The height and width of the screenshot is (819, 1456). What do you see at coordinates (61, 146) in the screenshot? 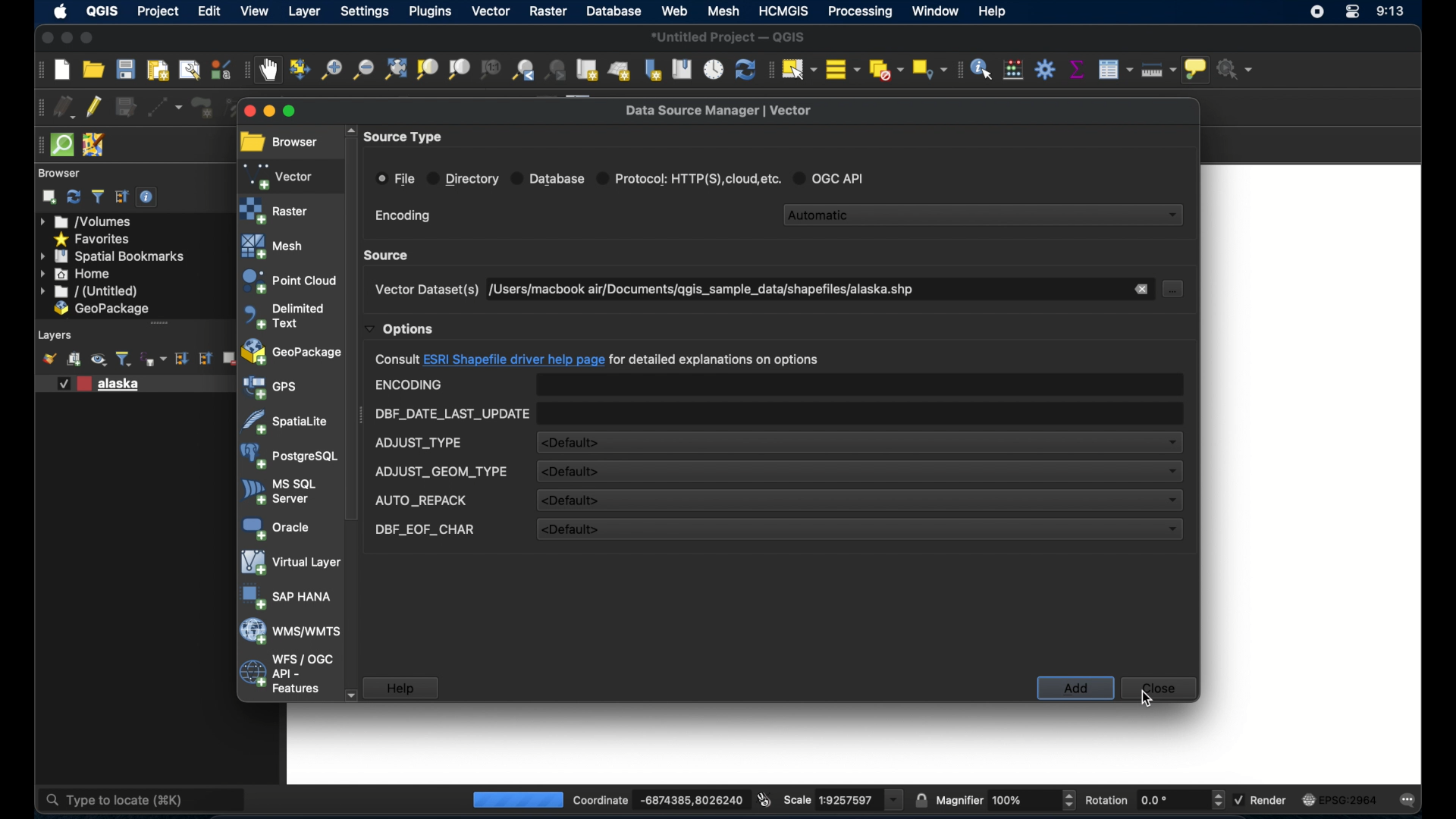
I see `quicksom` at bounding box center [61, 146].